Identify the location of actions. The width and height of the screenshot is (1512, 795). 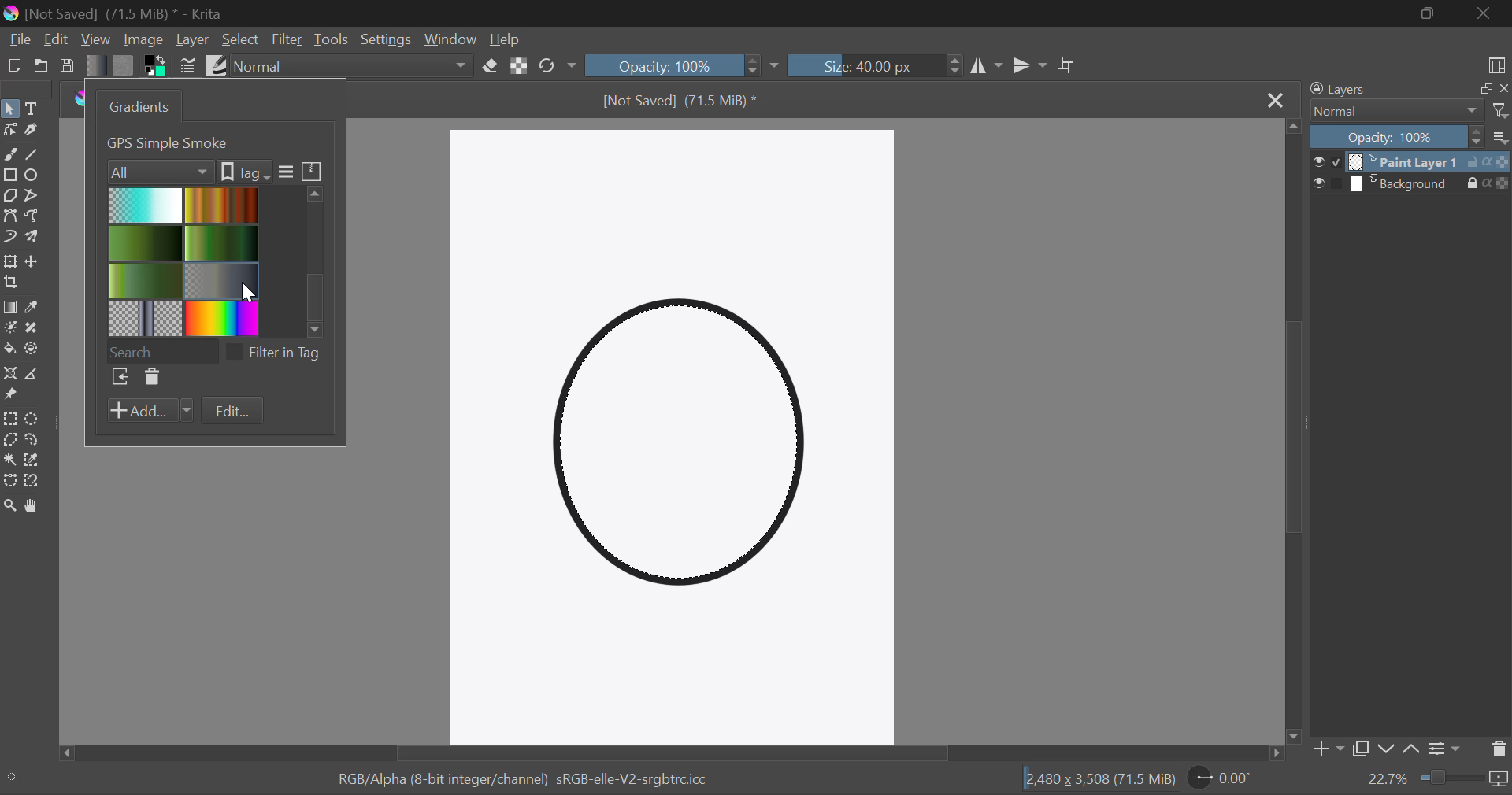
(1488, 162).